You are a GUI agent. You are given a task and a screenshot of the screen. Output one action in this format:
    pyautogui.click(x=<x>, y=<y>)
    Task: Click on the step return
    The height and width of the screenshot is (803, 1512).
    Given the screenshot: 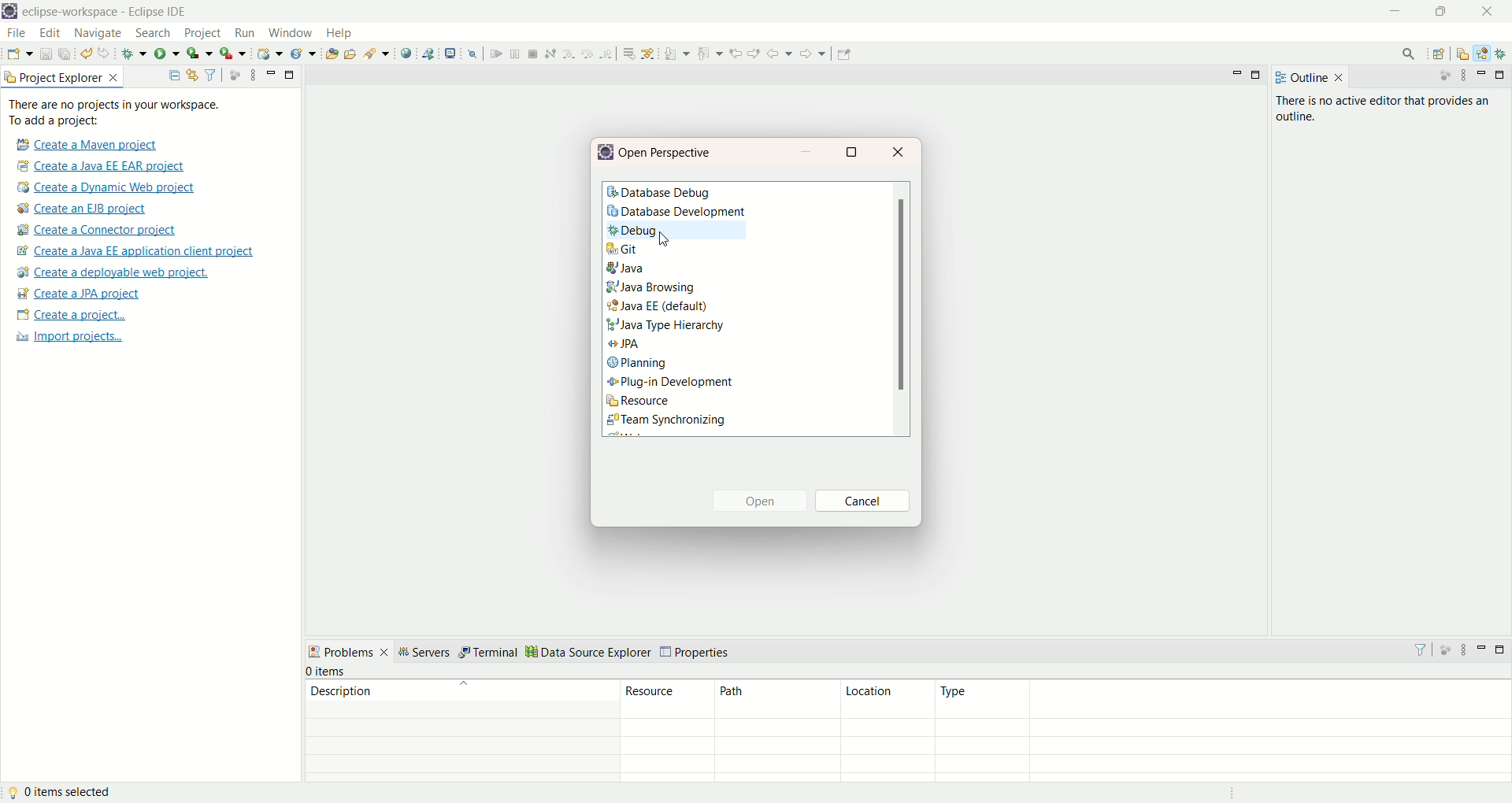 What is the action you would take?
    pyautogui.click(x=607, y=54)
    